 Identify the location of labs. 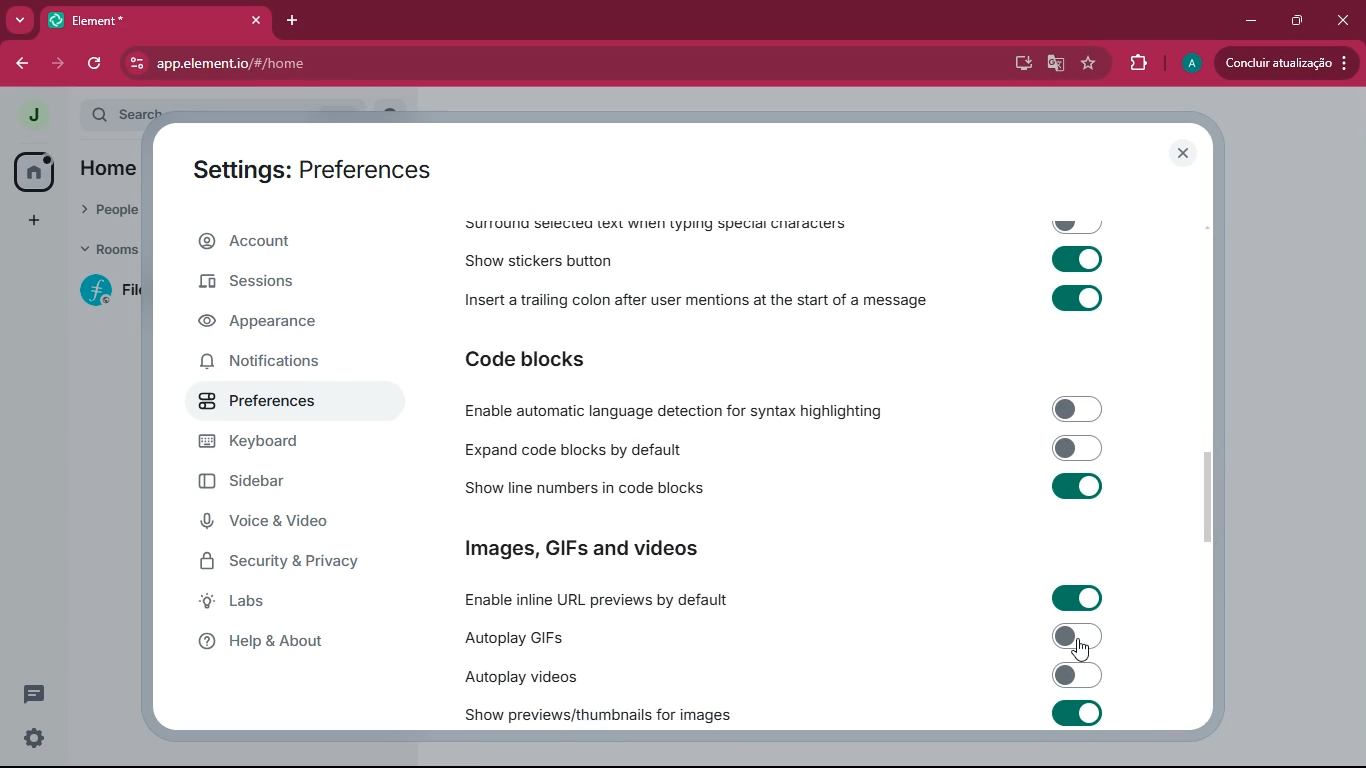
(283, 605).